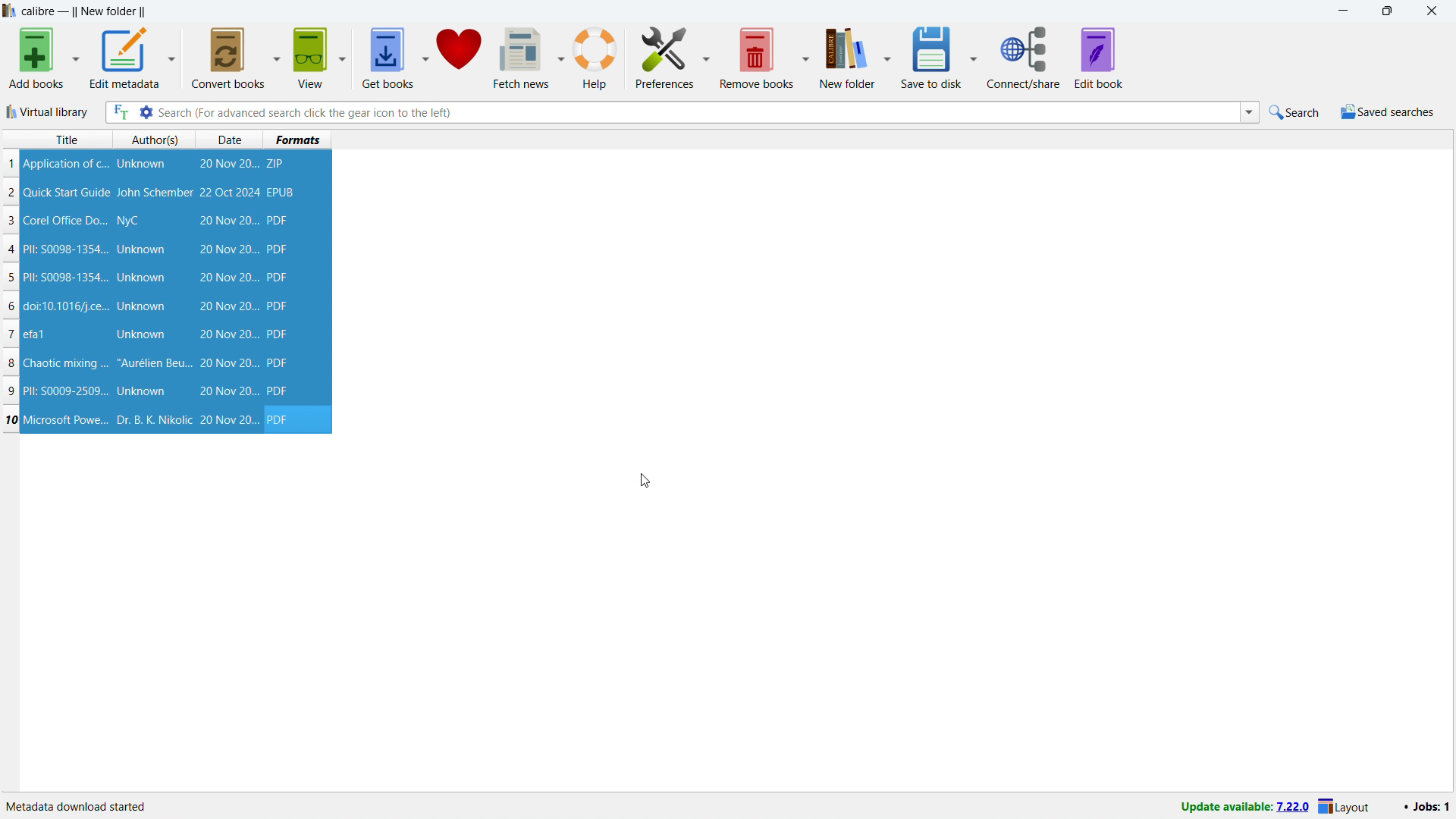 This screenshot has width=1456, height=819. Describe the element at coordinates (128, 221) in the screenshot. I see `NyC` at that location.